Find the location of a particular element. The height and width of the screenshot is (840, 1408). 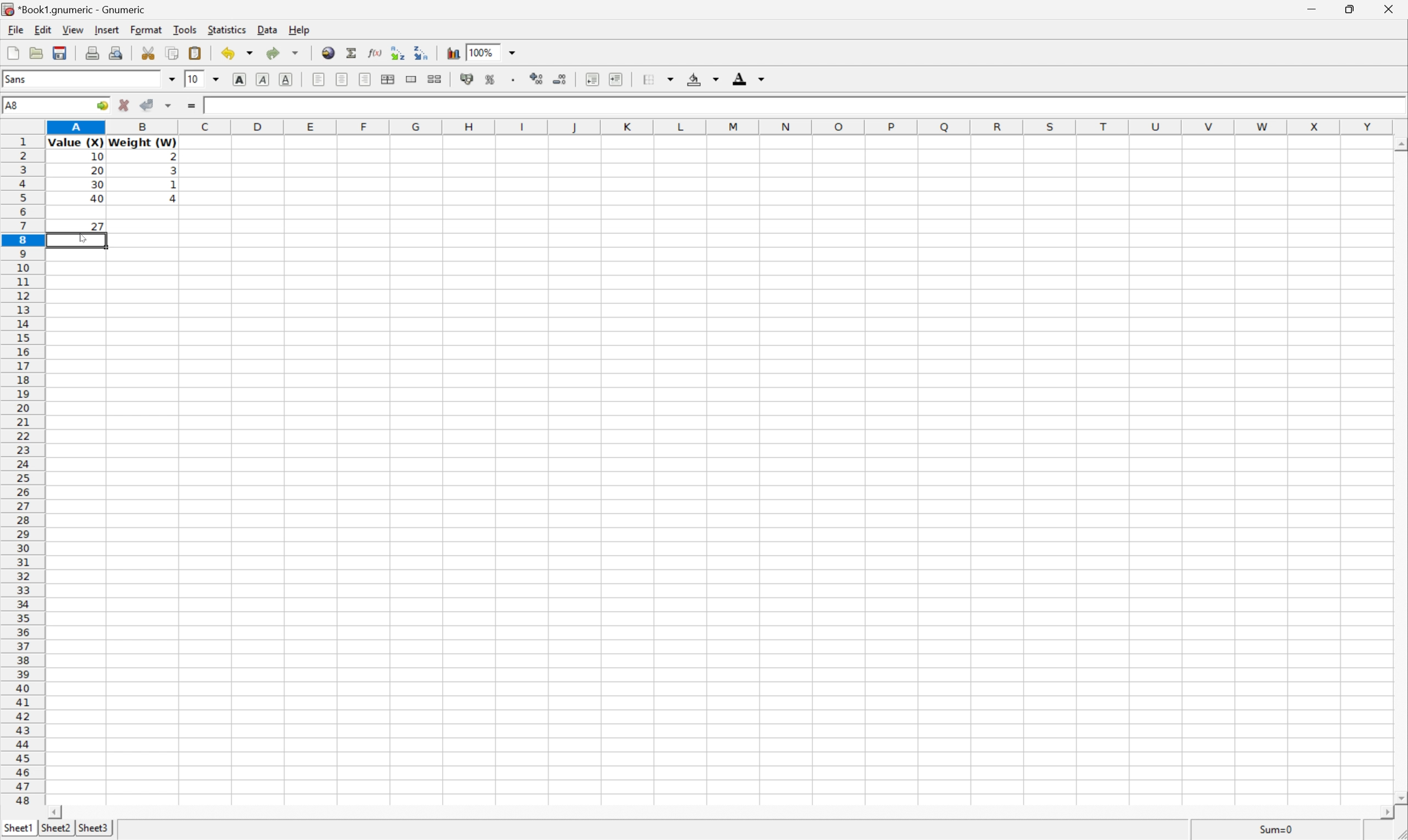

Scroll Right is located at coordinates (1383, 812).